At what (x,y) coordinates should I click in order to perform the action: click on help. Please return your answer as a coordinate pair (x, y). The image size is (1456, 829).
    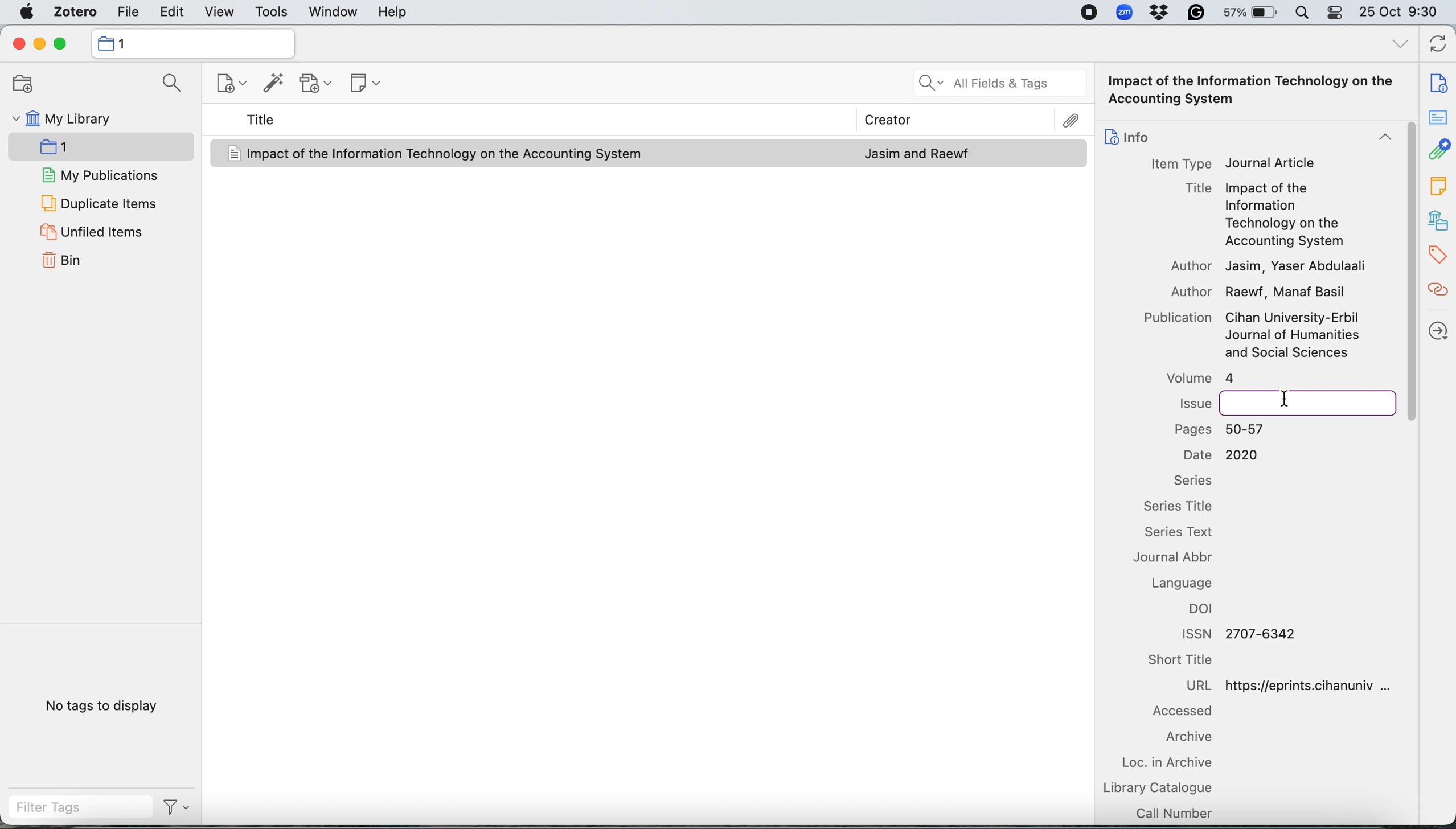
    Looking at the image, I should click on (396, 12).